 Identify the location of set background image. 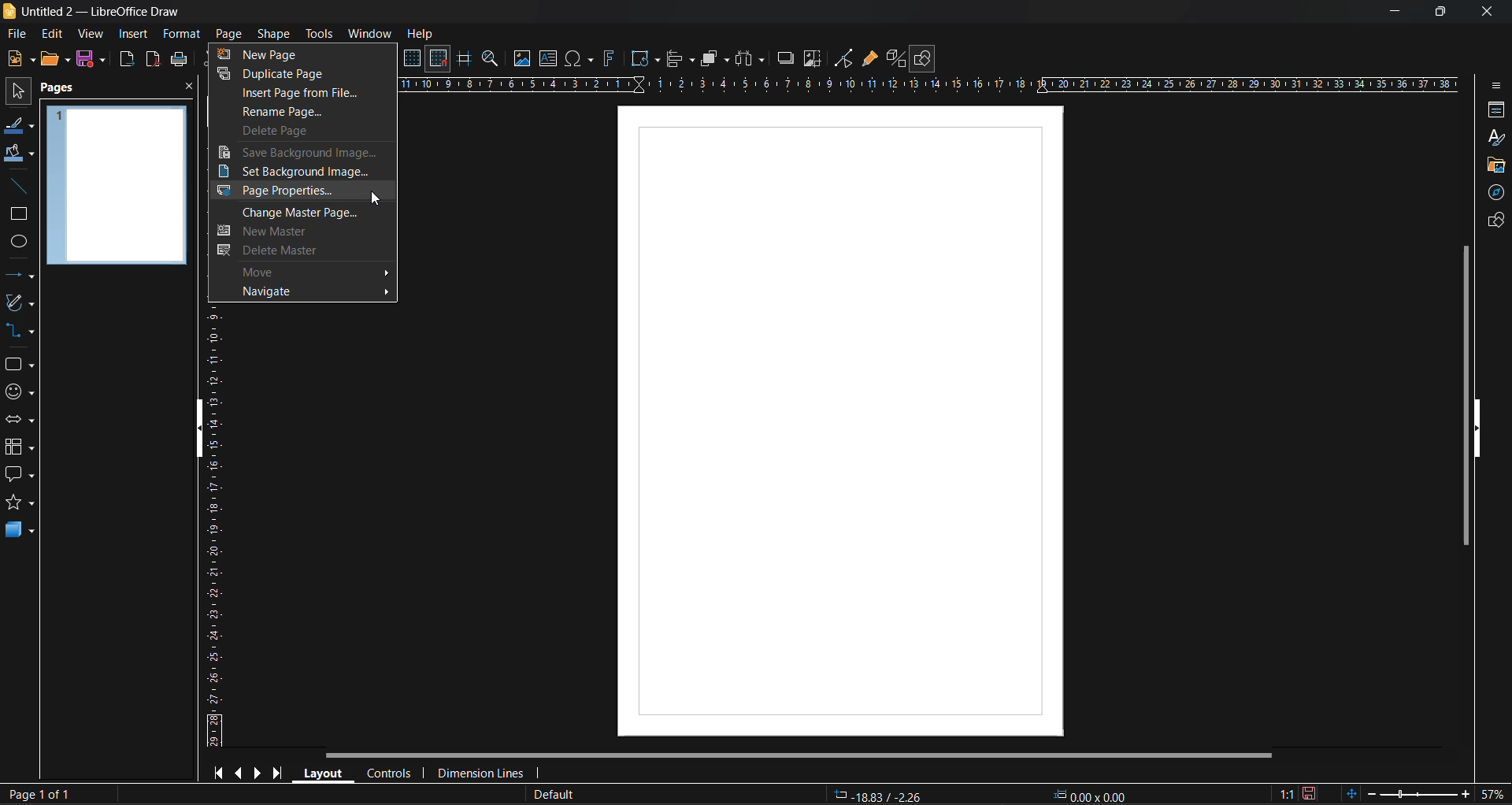
(304, 171).